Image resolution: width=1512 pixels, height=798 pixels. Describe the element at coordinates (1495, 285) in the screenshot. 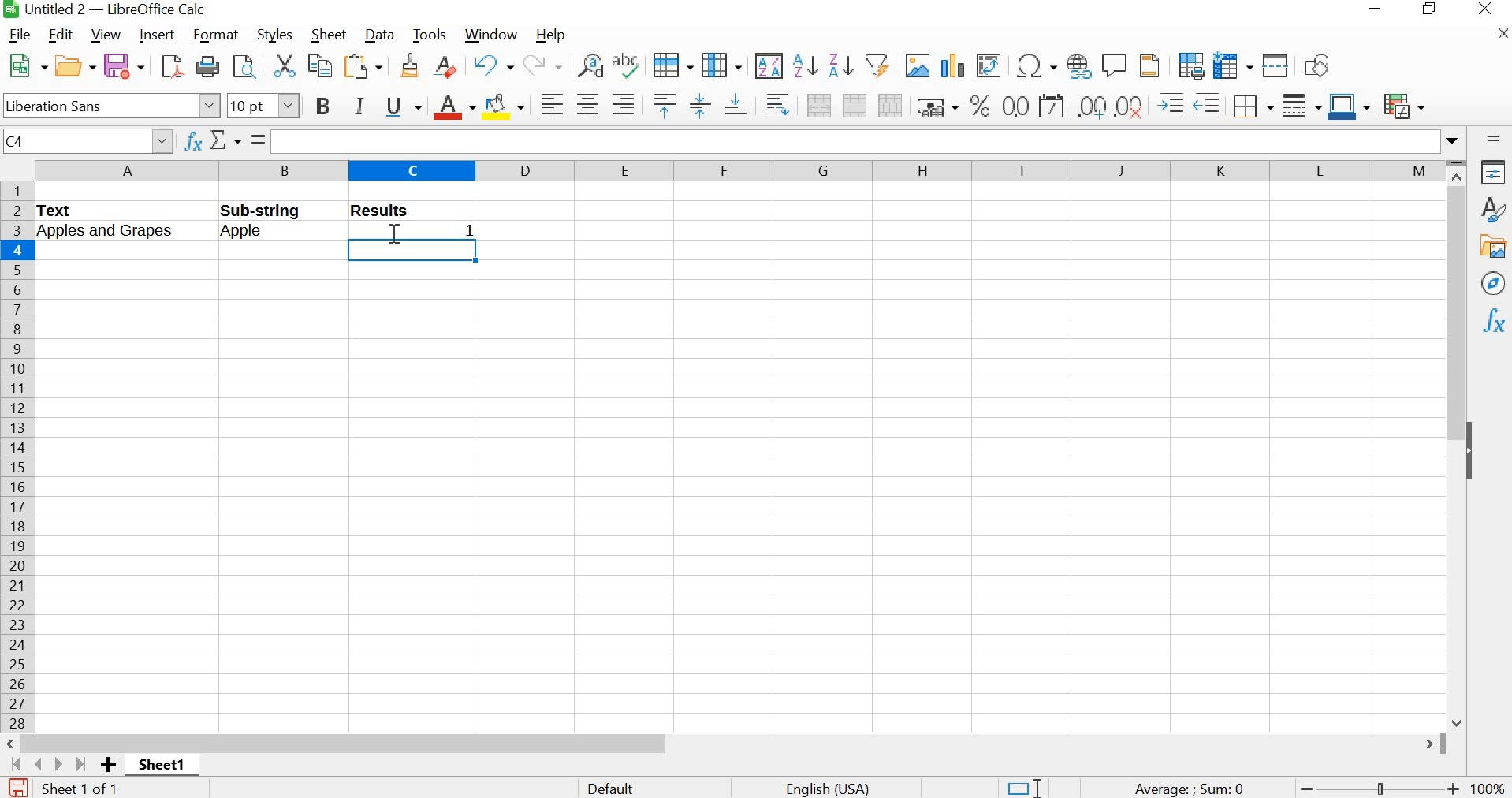

I see `navigator` at that location.